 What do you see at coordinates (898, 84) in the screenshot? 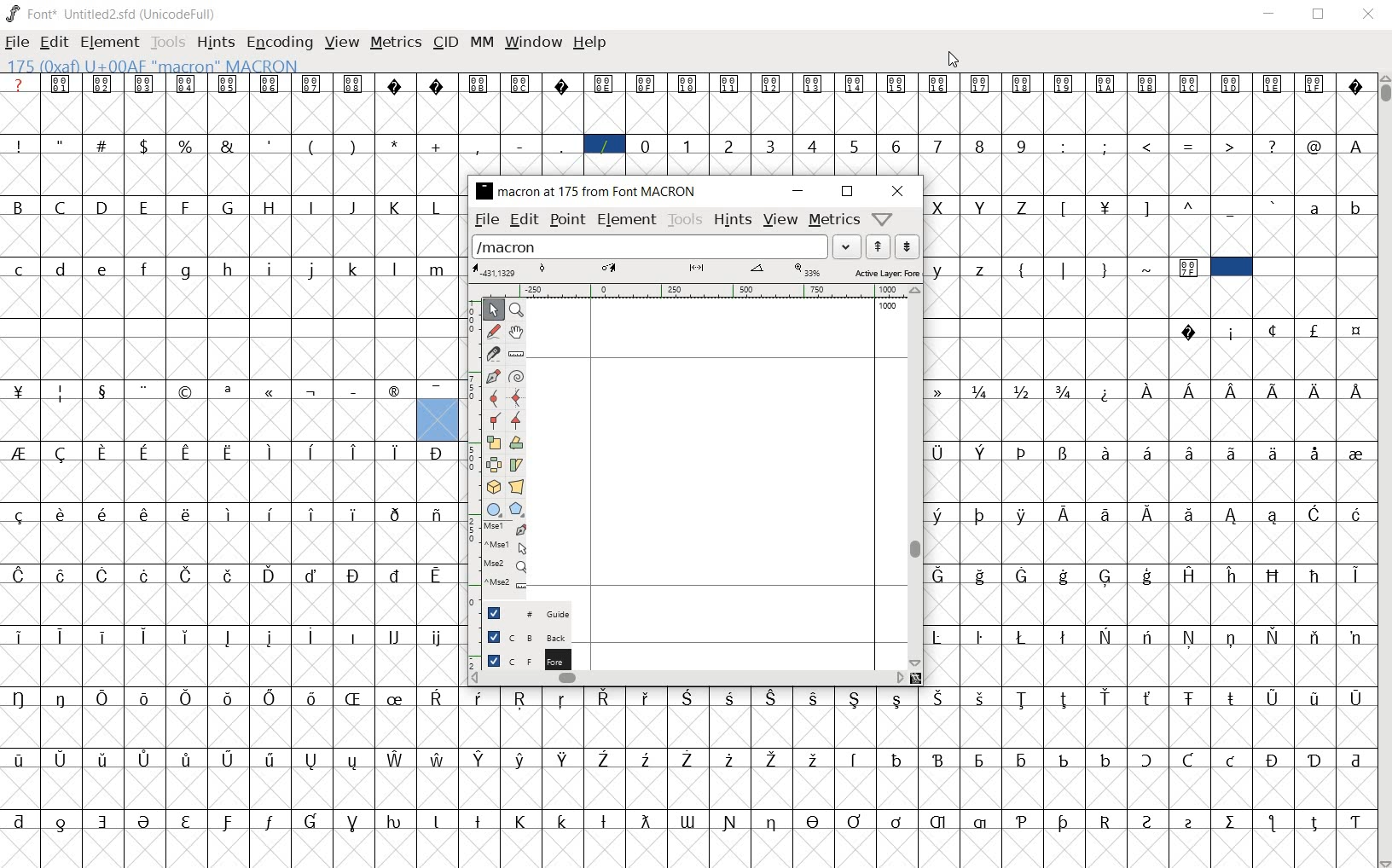
I see `Symbol` at bounding box center [898, 84].